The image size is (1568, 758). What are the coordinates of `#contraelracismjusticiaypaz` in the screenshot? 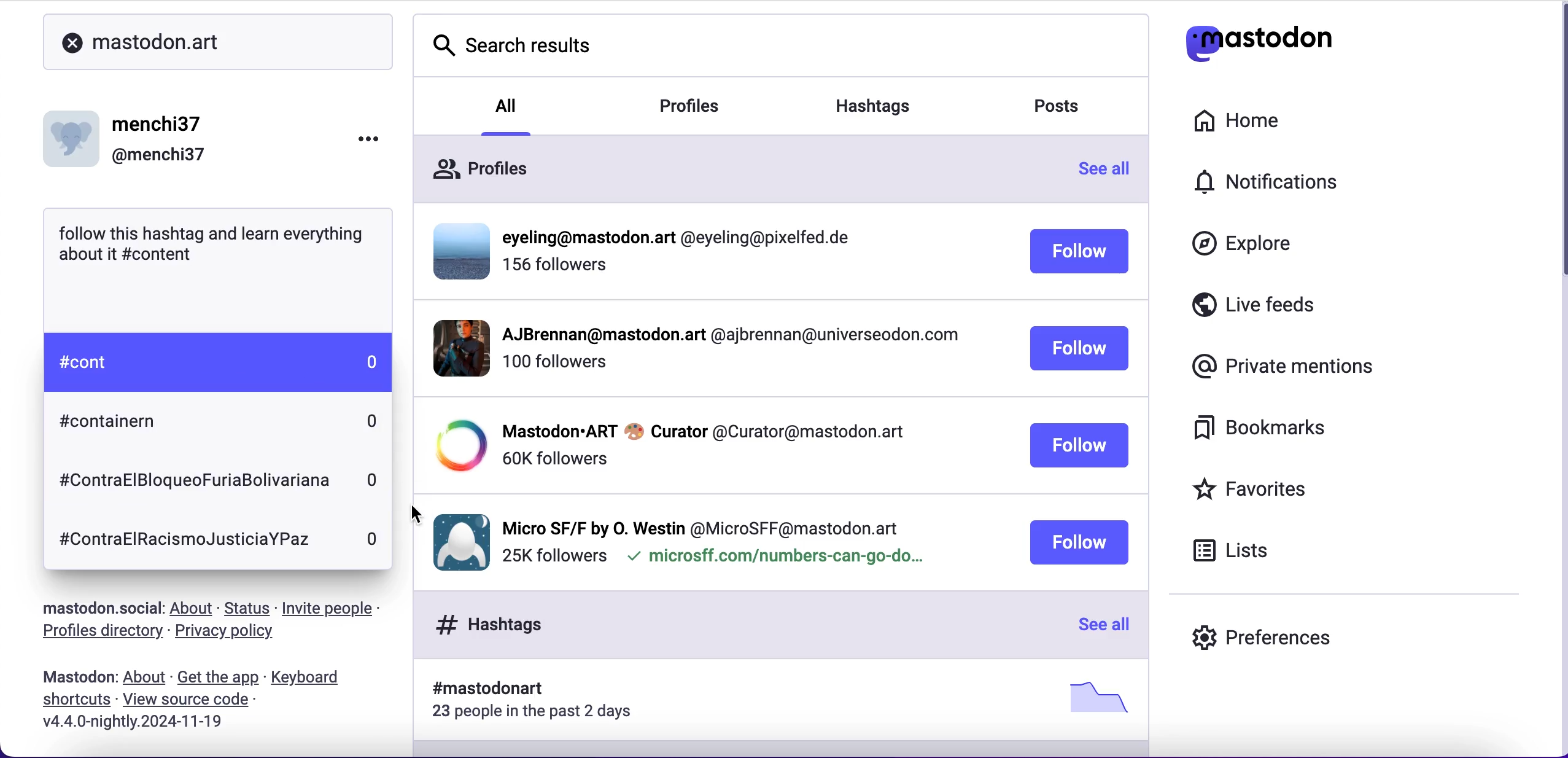 It's located at (183, 541).